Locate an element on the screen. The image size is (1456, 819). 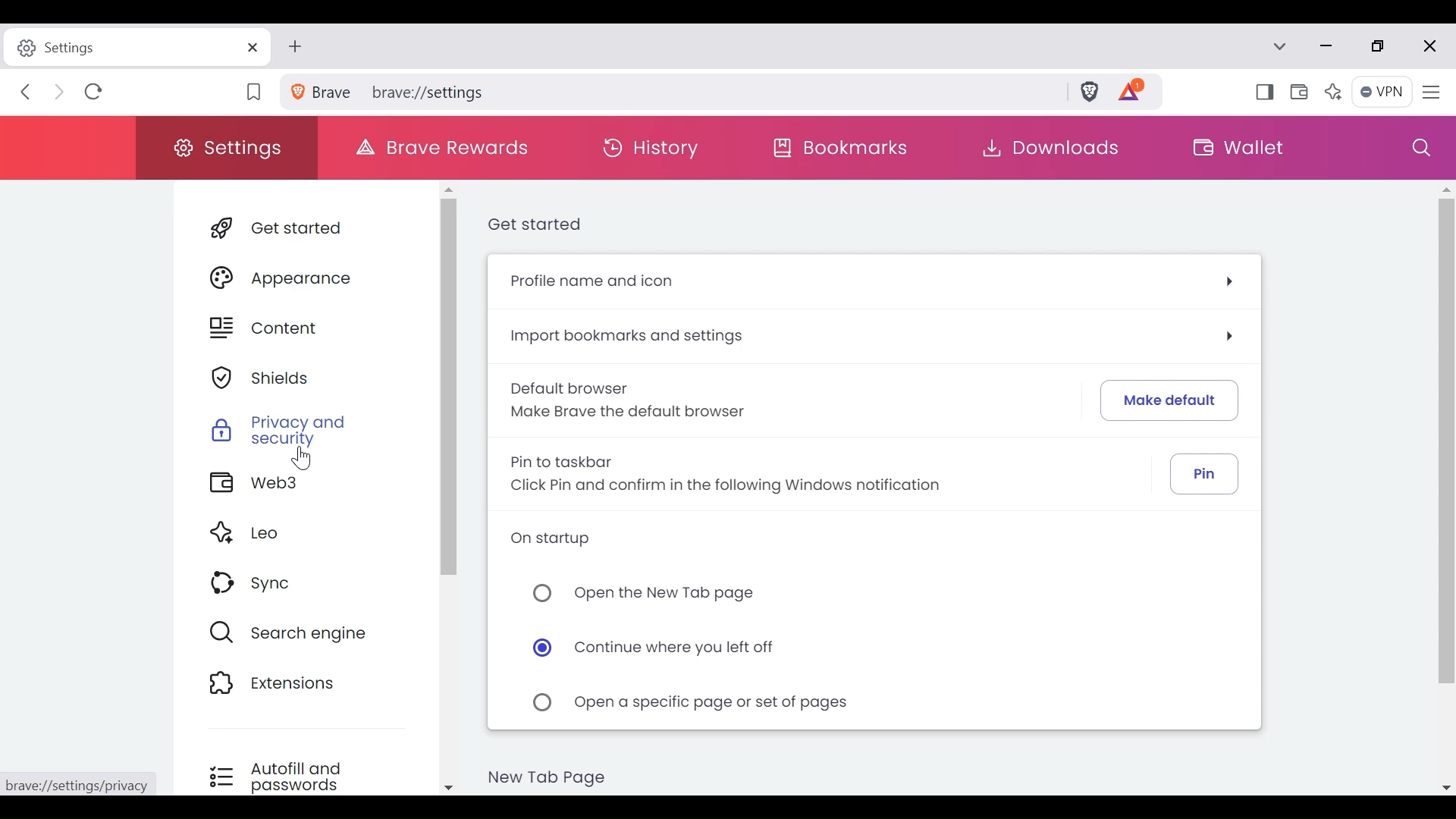
Brave Rewards is located at coordinates (444, 145).